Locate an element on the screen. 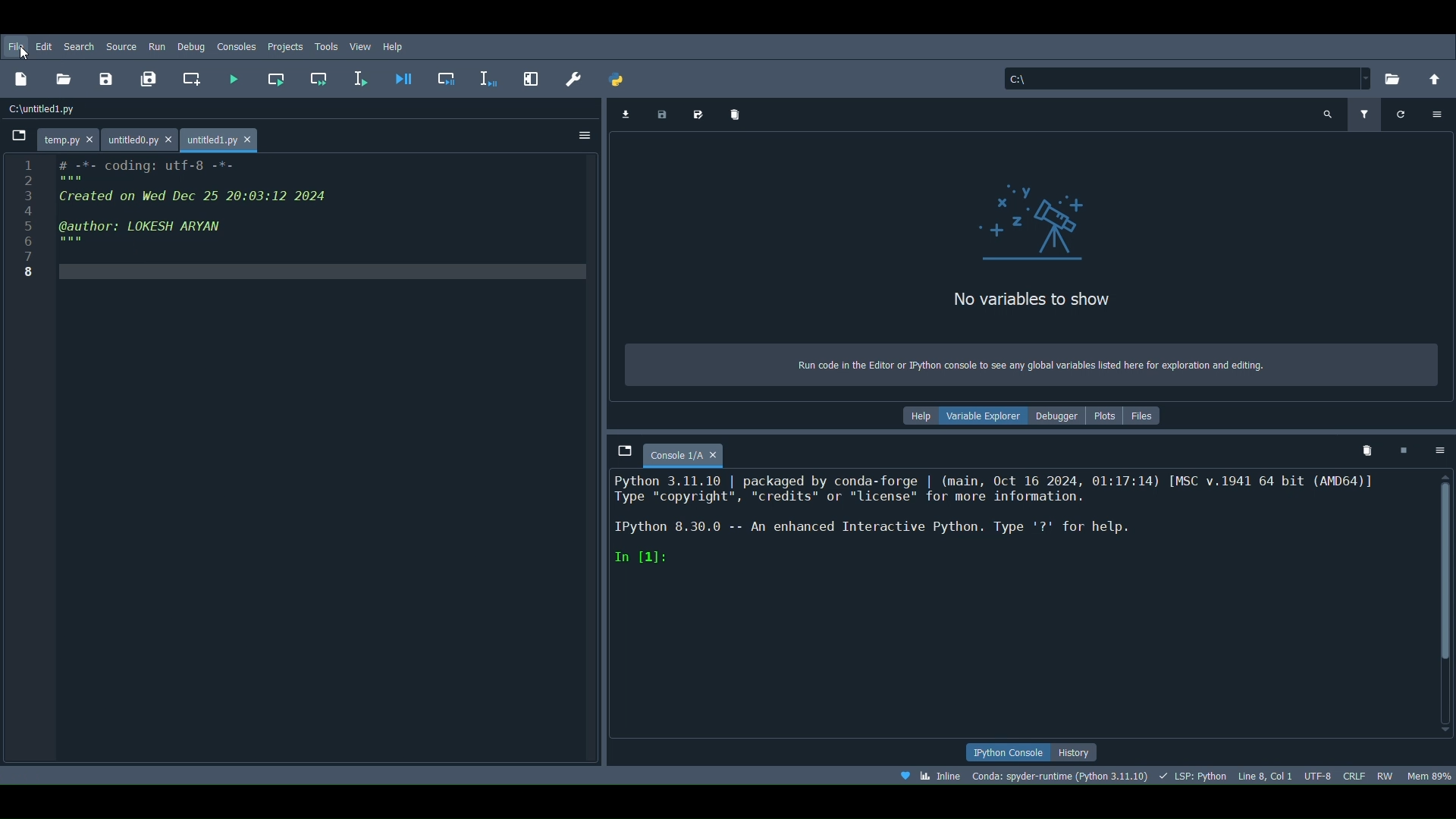  Click to toggle between inline and interactive Matplotlib plotting is located at coordinates (929, 776).